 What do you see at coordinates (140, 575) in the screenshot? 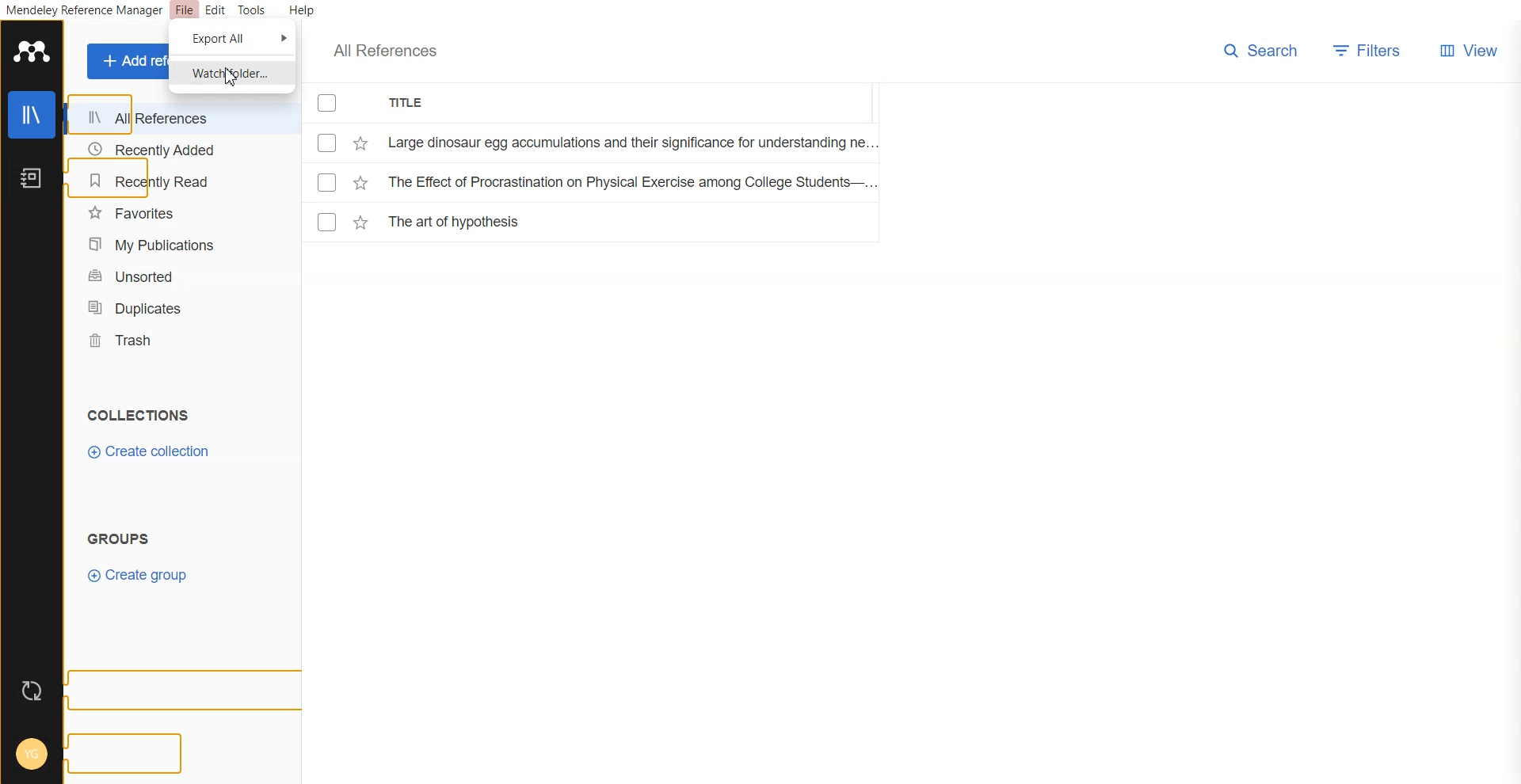
I see `Create group` at bounding box center [140, 575].